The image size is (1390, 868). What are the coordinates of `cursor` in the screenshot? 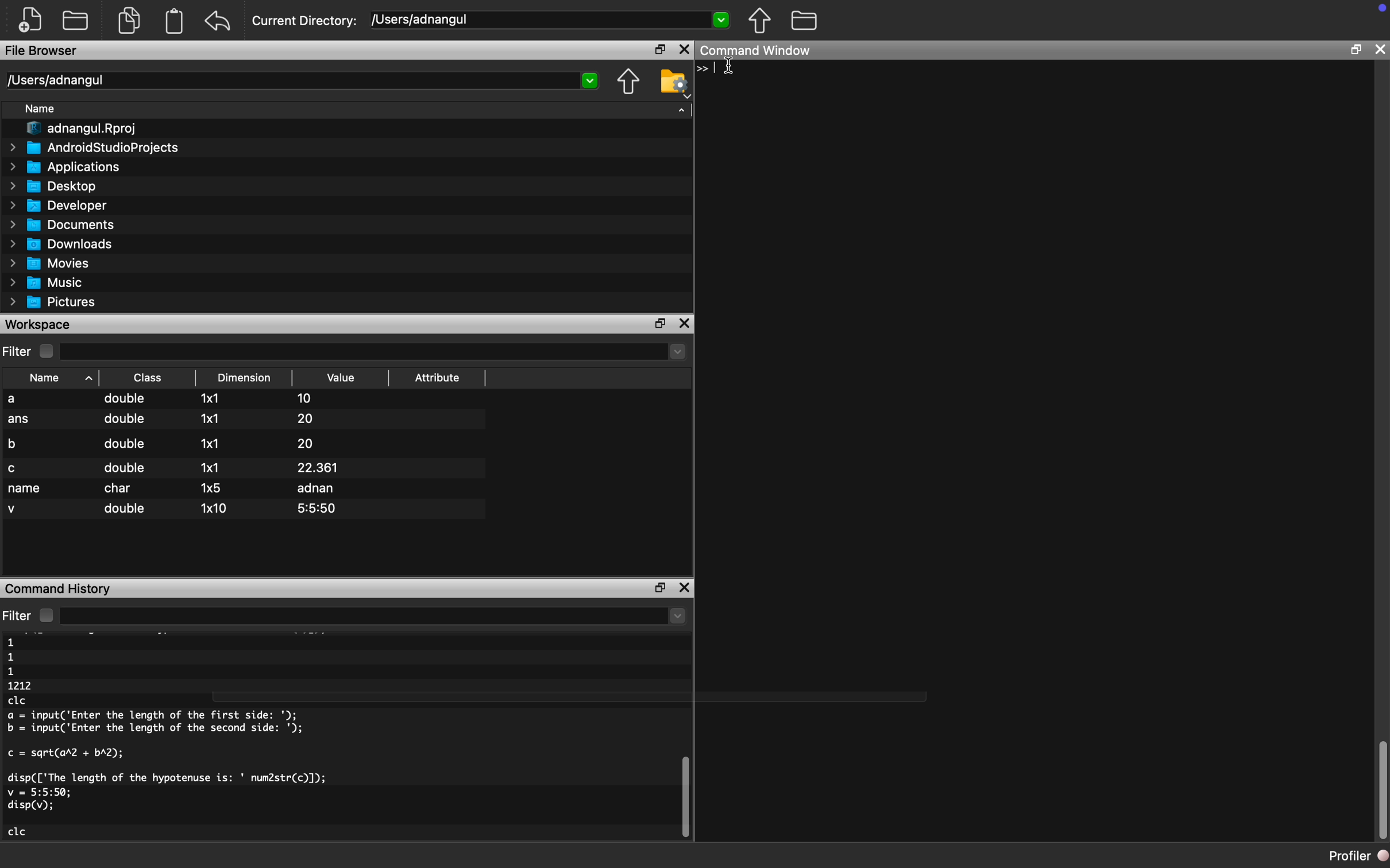 It's located at (731, 67).